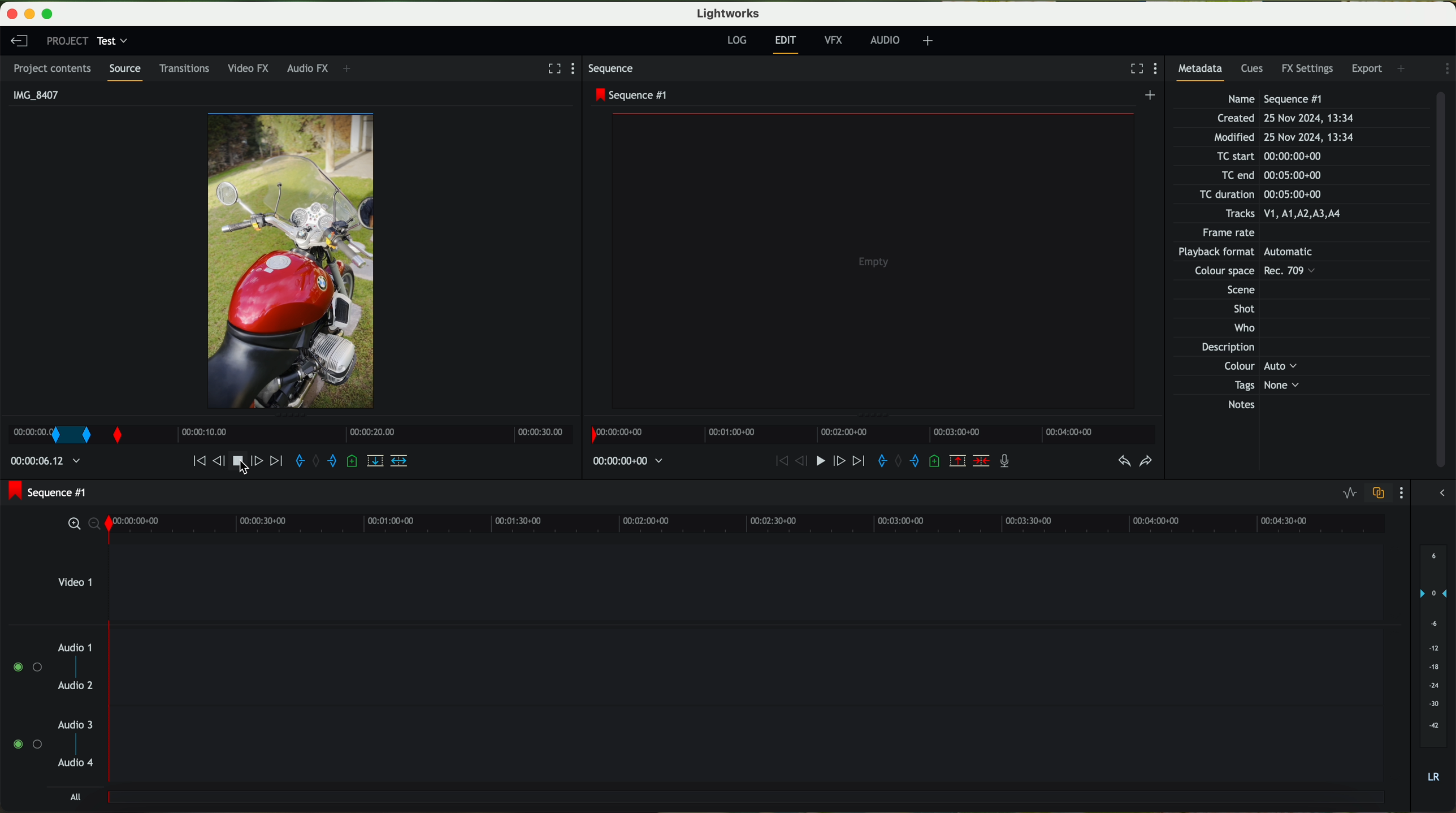 Image resolution: width=1456 pixels, height=813 pixels. What do you see at coordinates (1256, 253) in the screenshot?
I see `` at bounding box center [1256, 253].